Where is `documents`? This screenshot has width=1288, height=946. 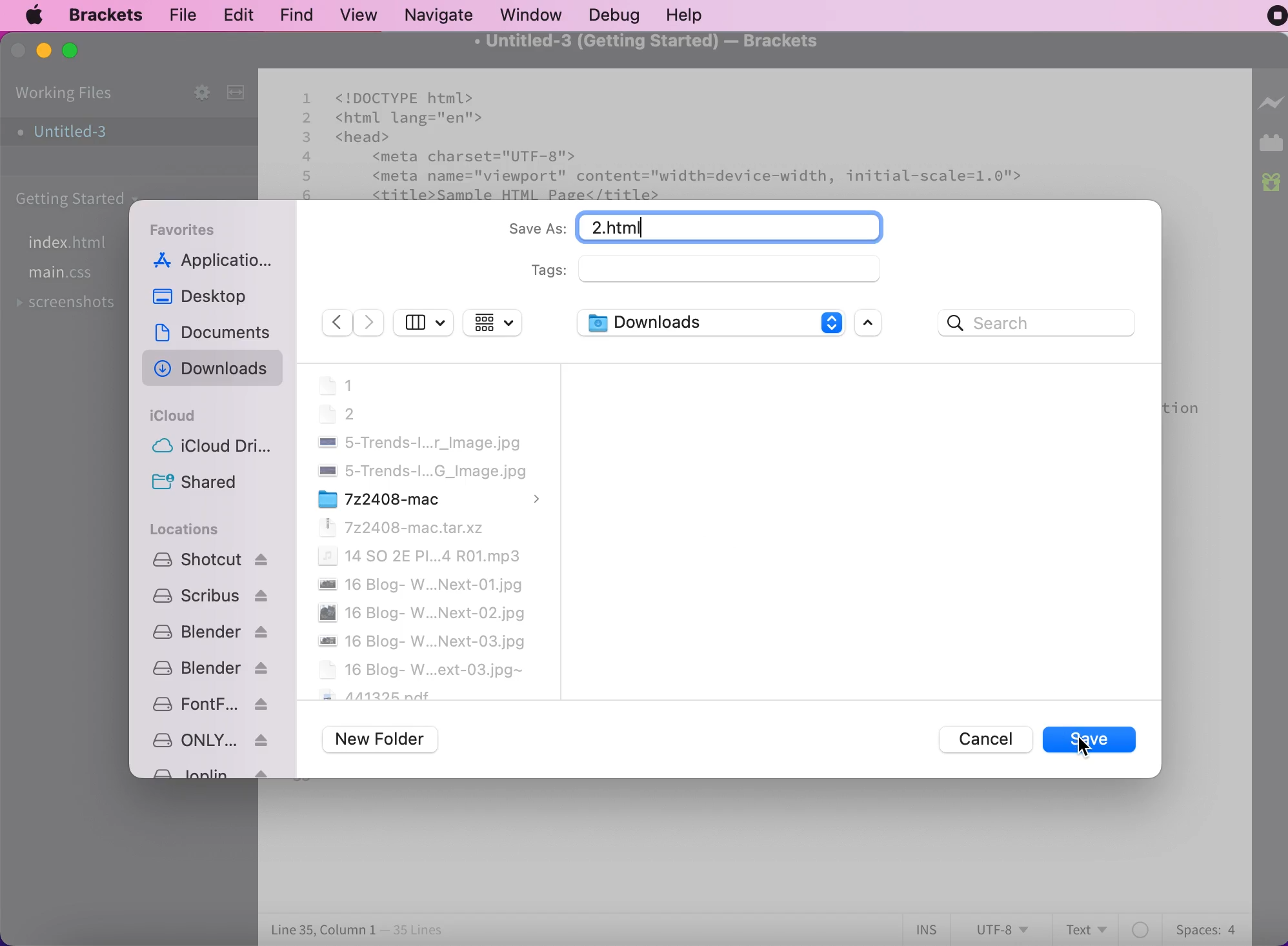 documents is located at coordinates (217, 330).